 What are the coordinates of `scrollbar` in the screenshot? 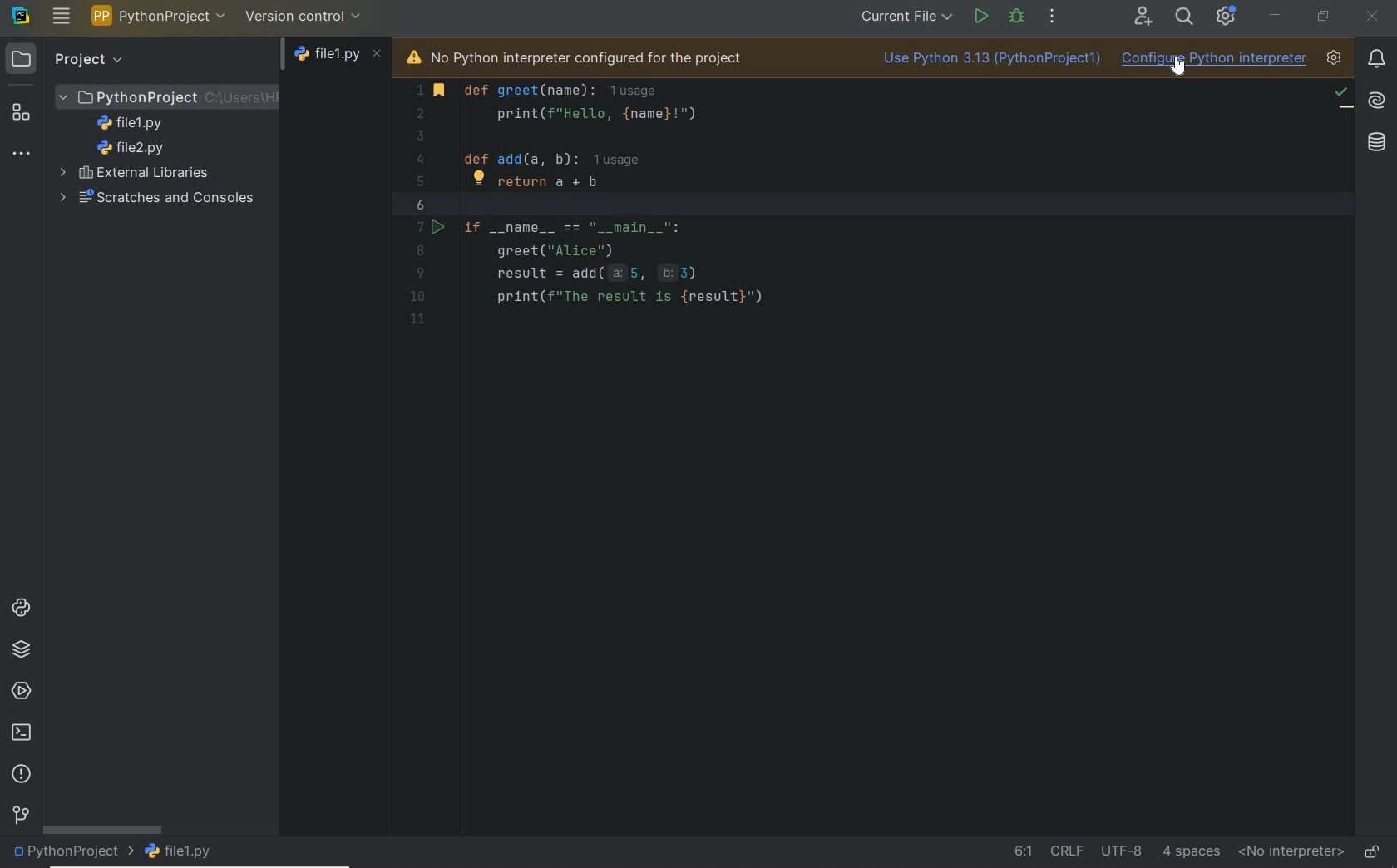 It's located at (102, 829).